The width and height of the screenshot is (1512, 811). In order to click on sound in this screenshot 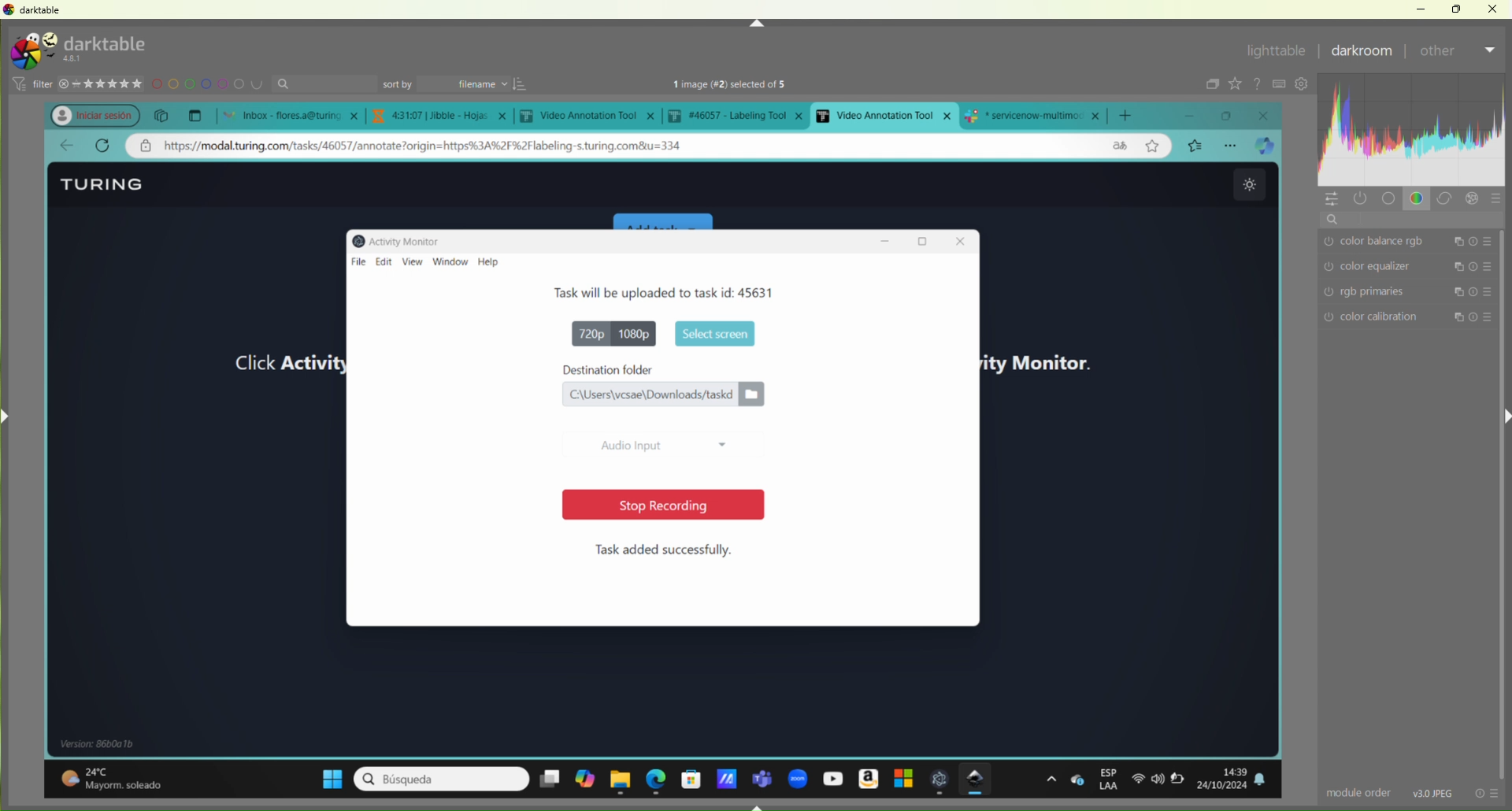, I will do `click(1158, 780)`.